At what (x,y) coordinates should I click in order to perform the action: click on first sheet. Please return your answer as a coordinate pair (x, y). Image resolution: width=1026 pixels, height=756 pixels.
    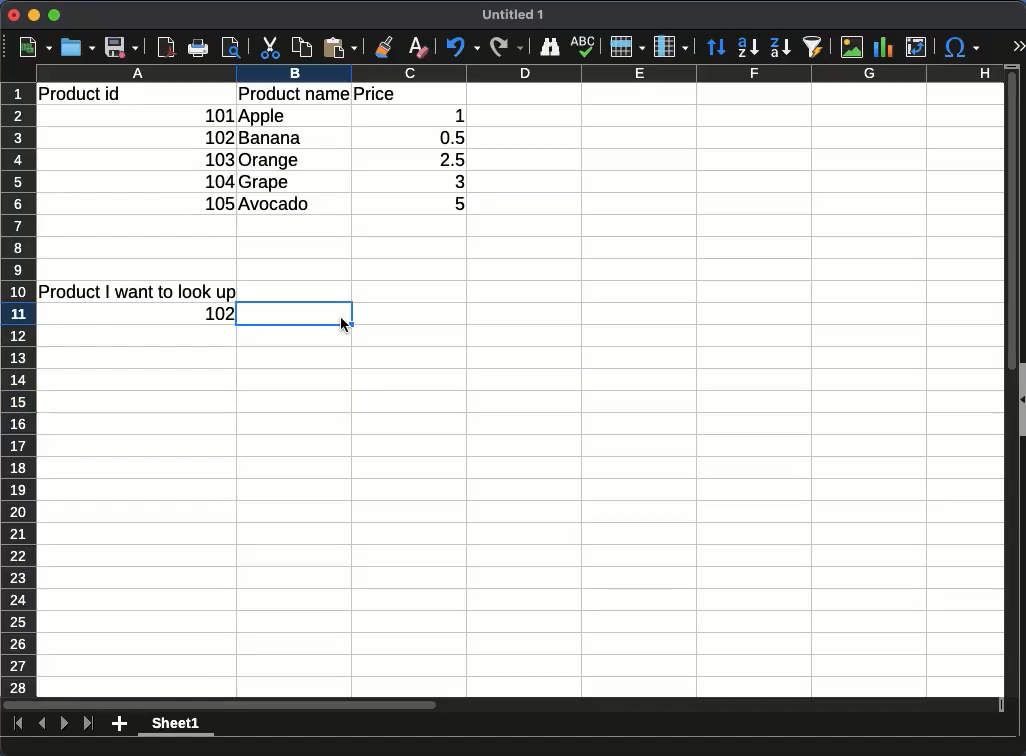
    Looking at the image, I should click on (19, 724).